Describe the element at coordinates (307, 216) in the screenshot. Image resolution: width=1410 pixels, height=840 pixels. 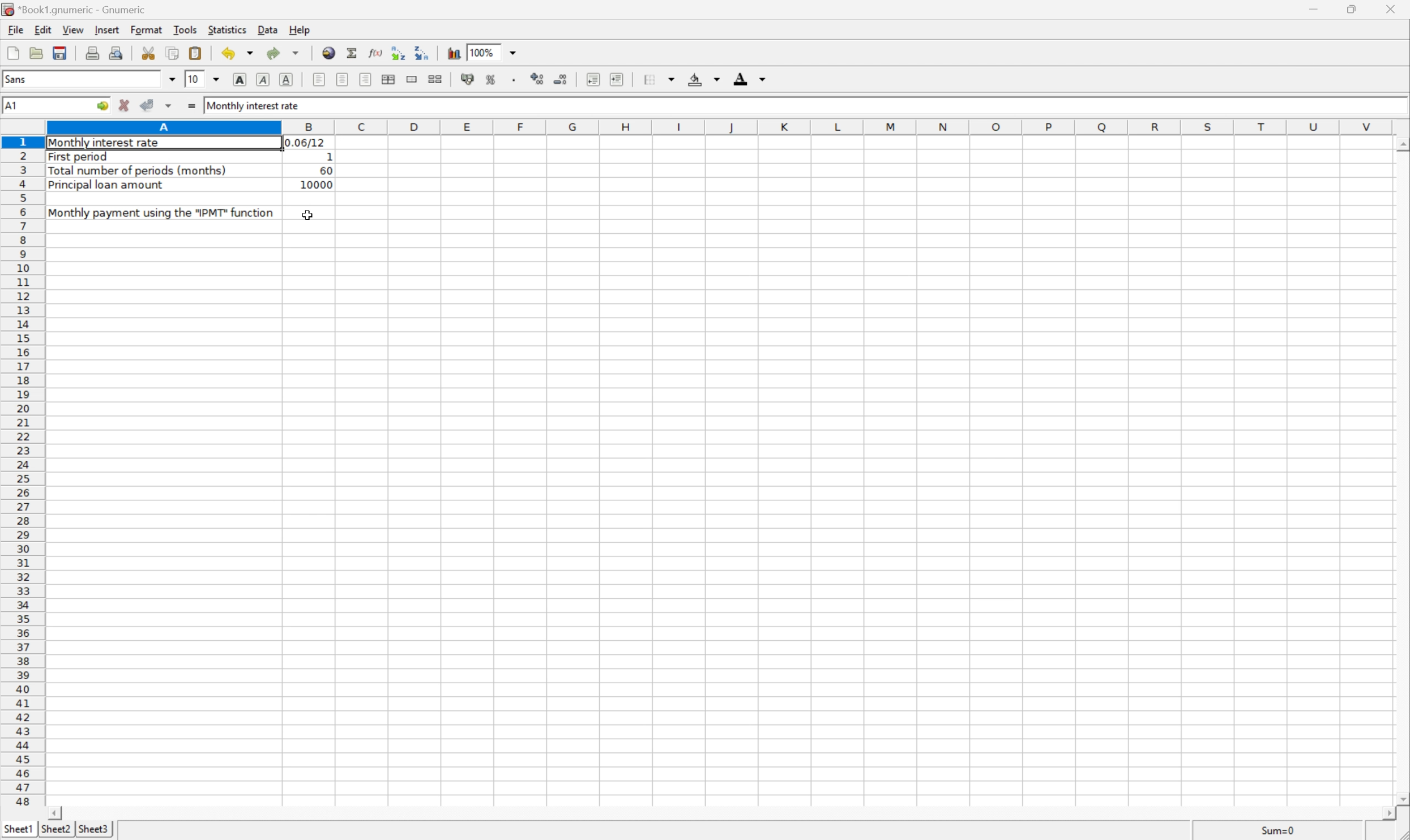
I see `Cursor` at that location.